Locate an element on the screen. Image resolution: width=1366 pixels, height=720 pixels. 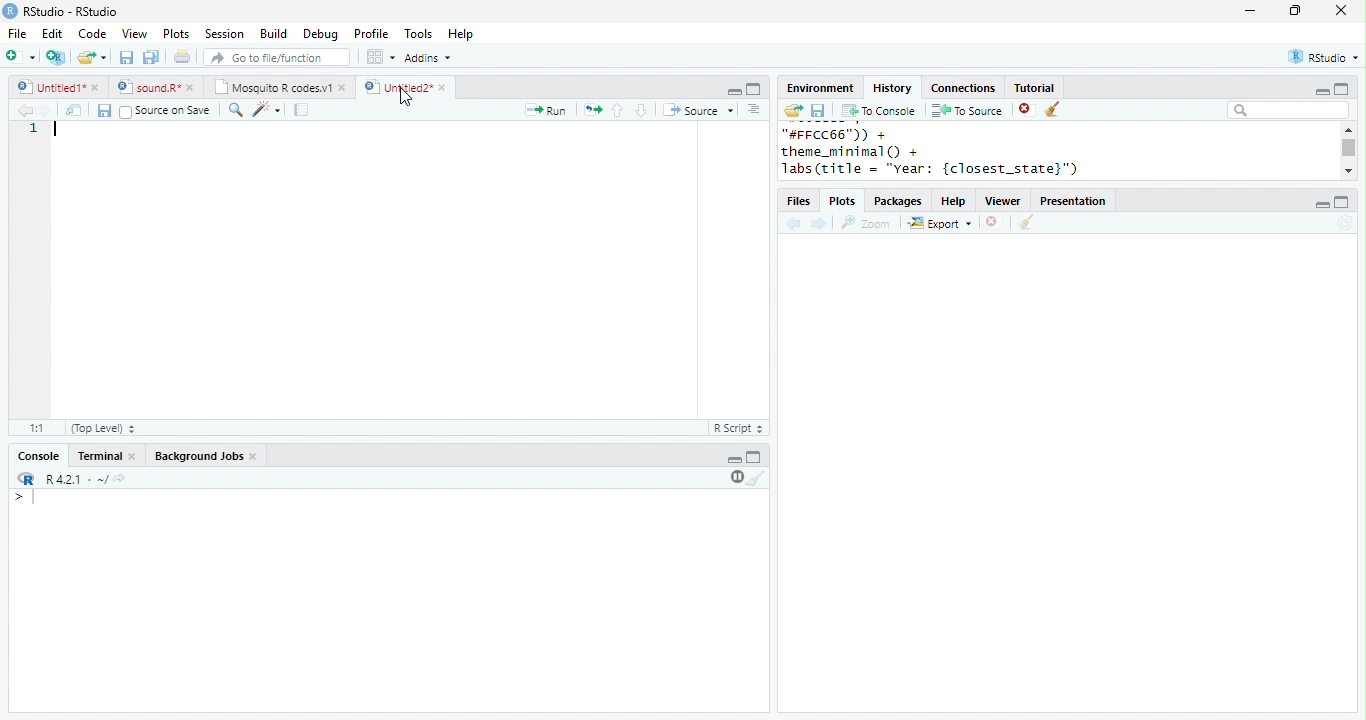
1 is located at coordinates (34, 129).